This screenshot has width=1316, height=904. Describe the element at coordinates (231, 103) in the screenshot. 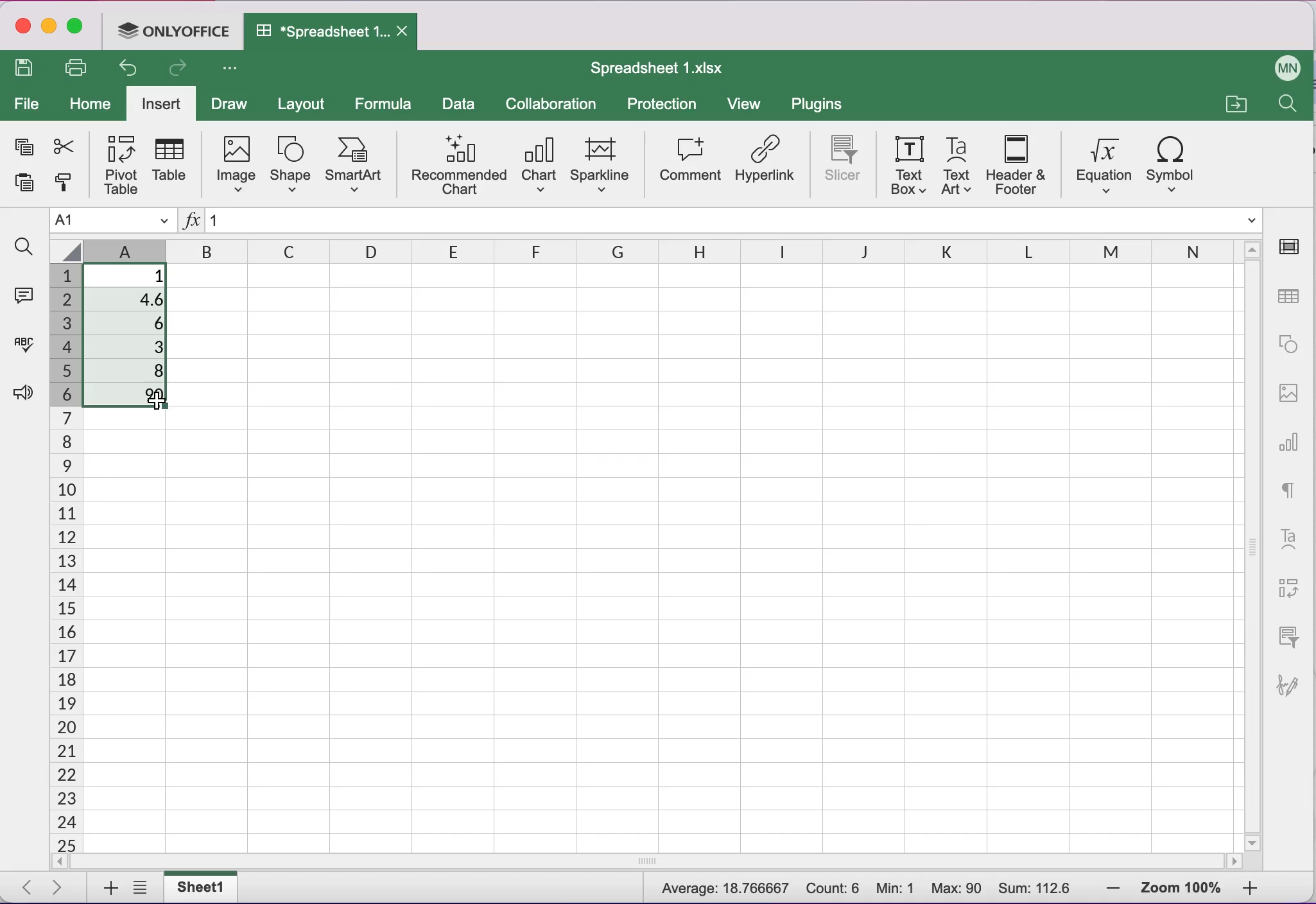

I see `draw` at that location.